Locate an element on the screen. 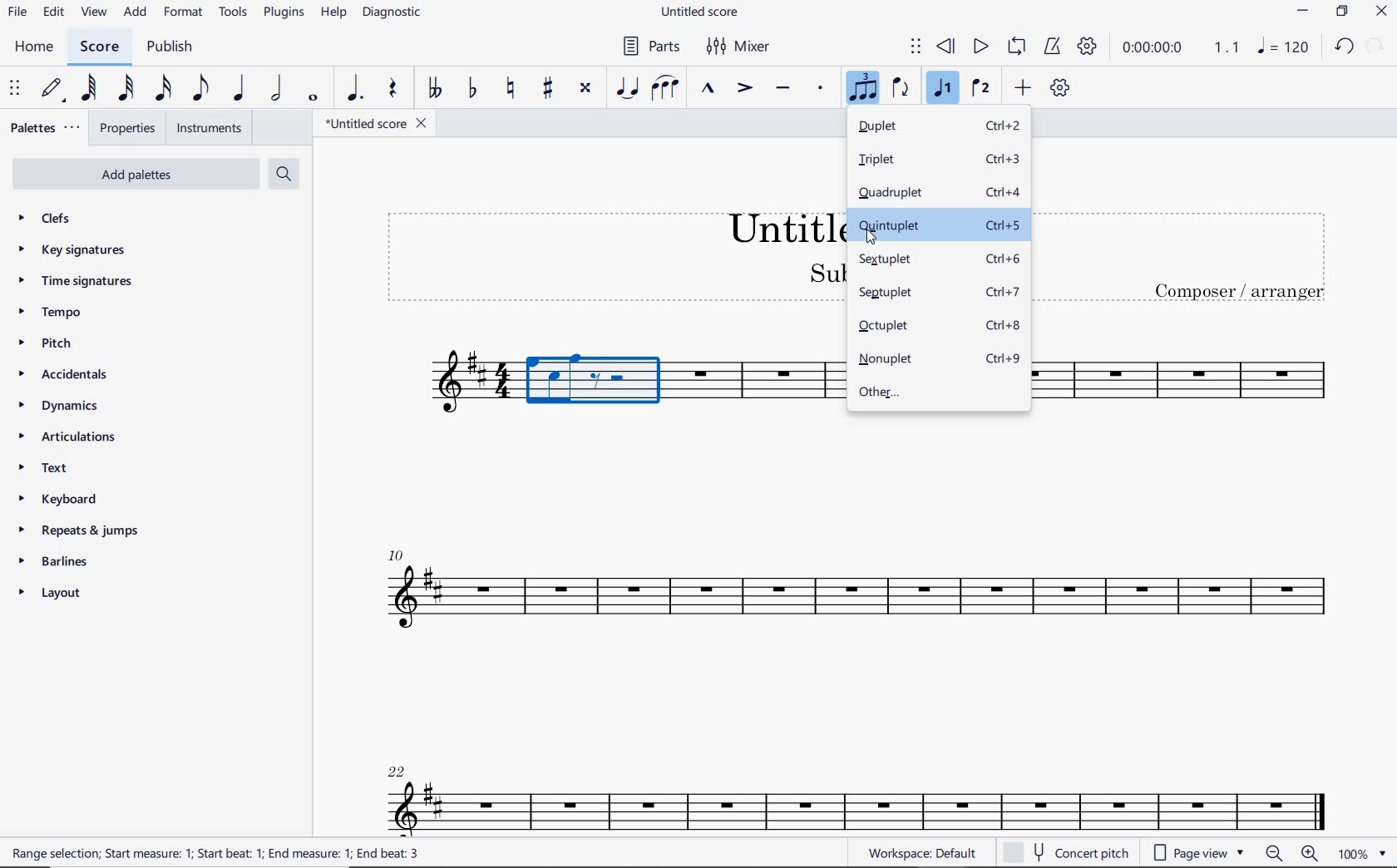 Image resolution: width=1397 pixels, height=868 pixels. septuplet is located at coordinates (938, 293).